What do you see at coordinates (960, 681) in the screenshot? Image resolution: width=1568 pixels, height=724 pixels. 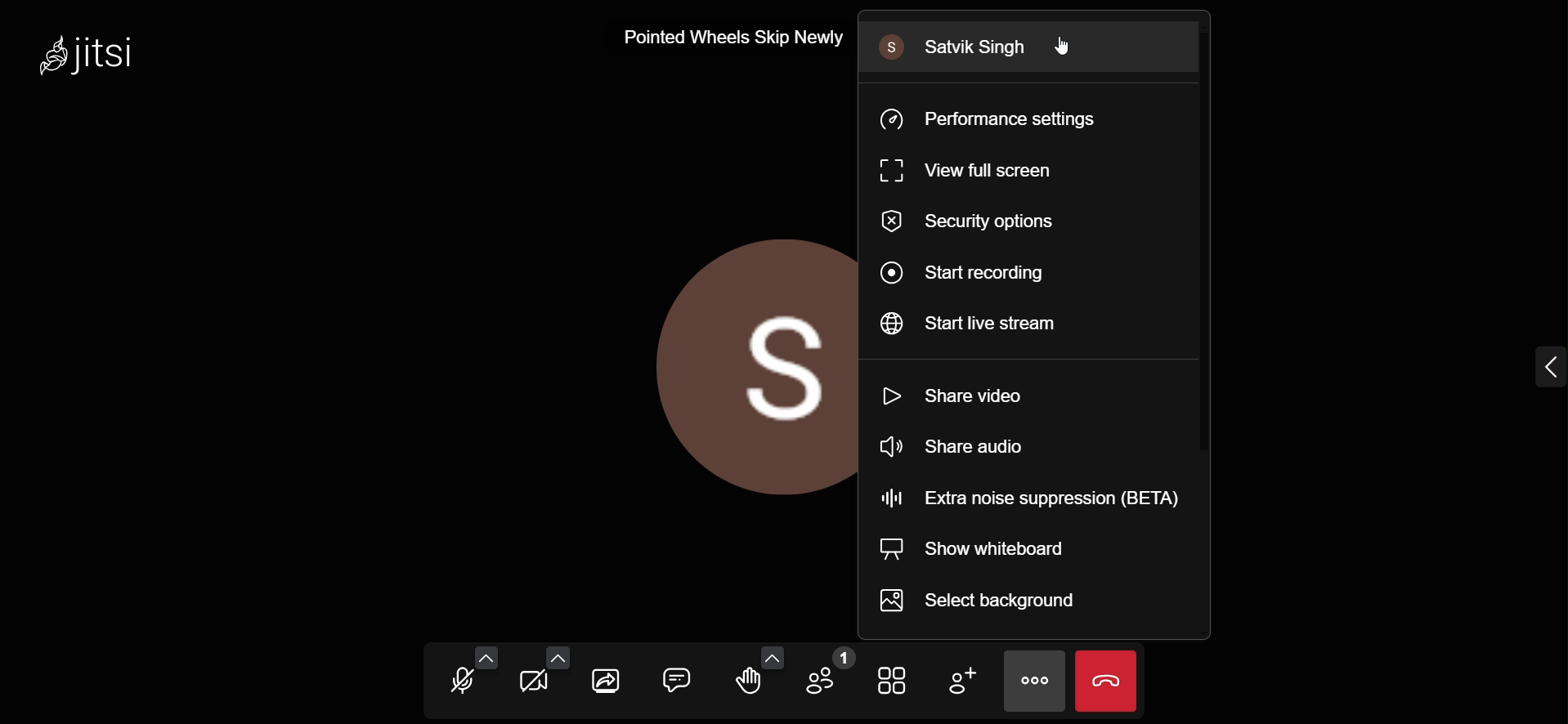 I see `add participant` at bounding box center [960, 681].